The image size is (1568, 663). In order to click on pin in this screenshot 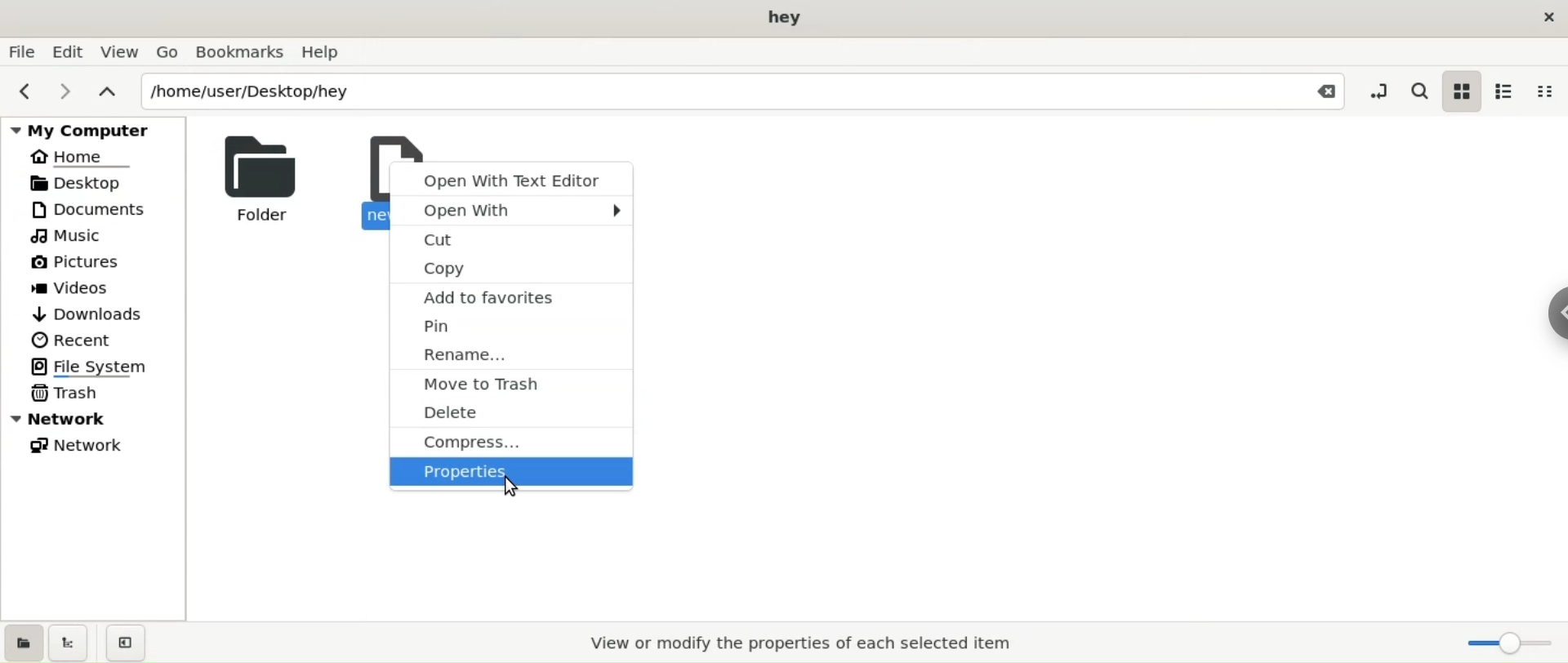, I will do `click(513, 327)`.